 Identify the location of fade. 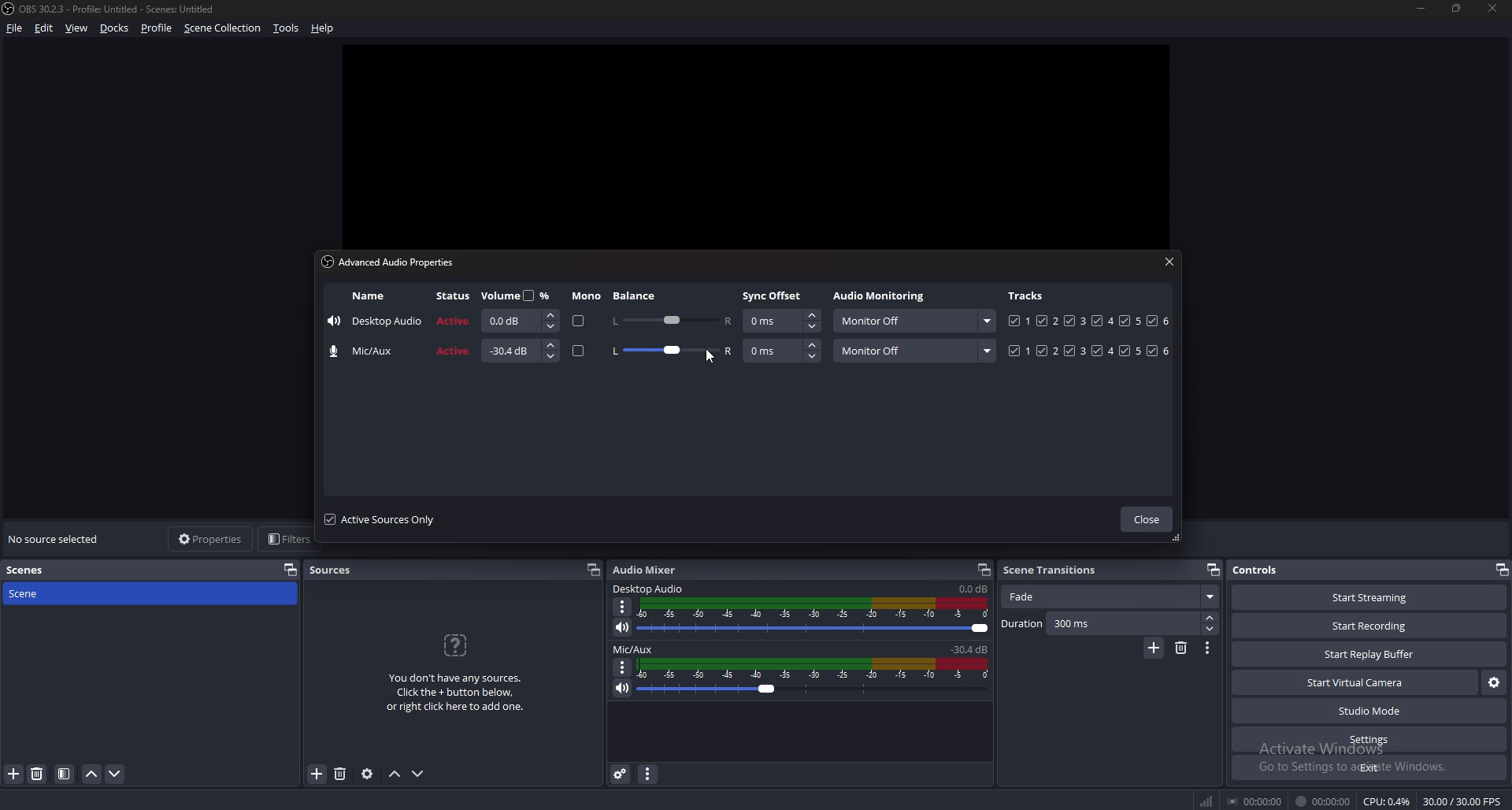
(1112, 595).